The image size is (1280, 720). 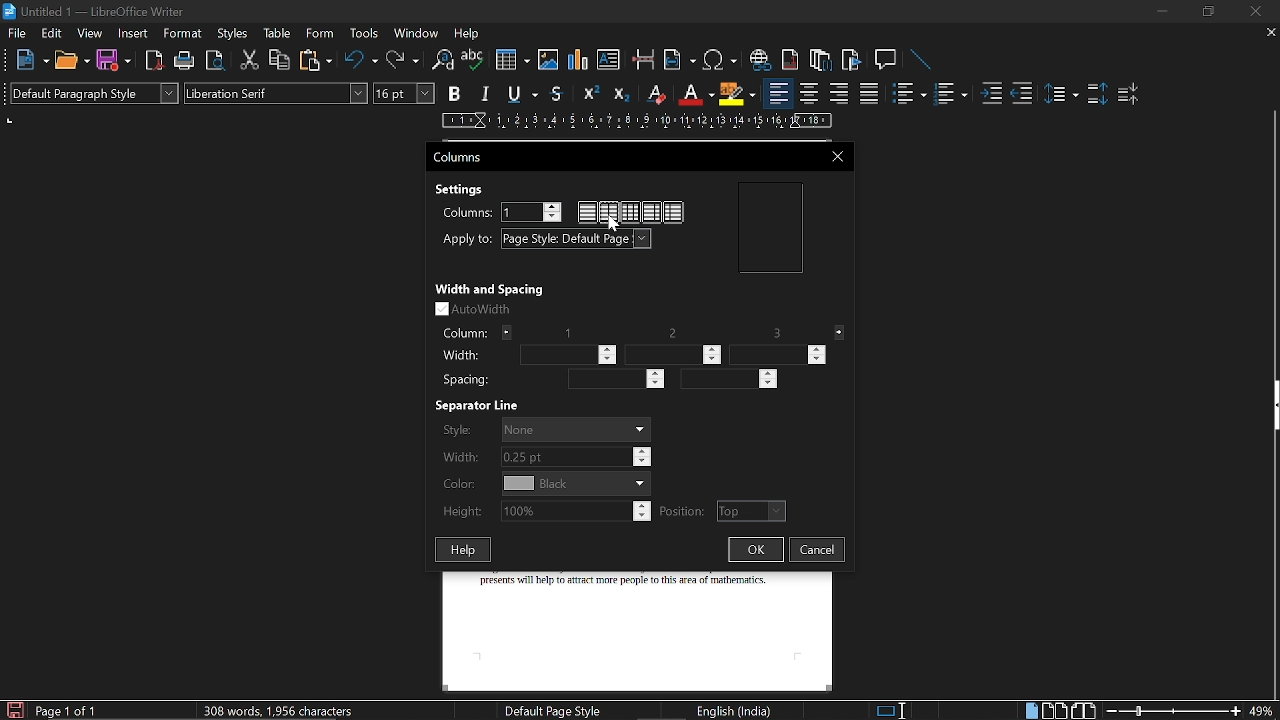 What do you see at coordinates (543, 484) in the screenshot?
I see `Color` at bounding box center [543, 484].